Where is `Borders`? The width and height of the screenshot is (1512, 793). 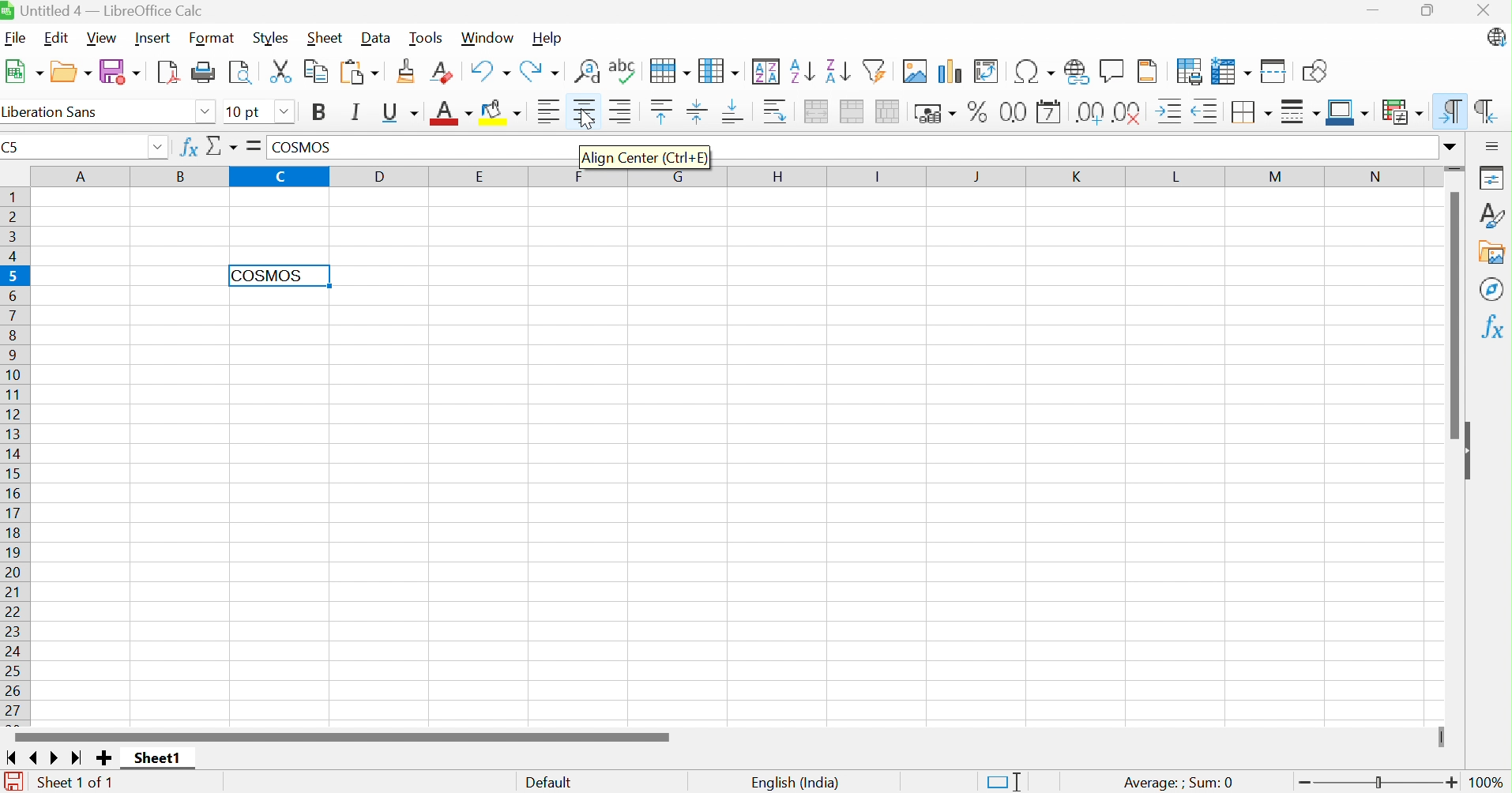
Borders is located at coordinates (1250, 113).